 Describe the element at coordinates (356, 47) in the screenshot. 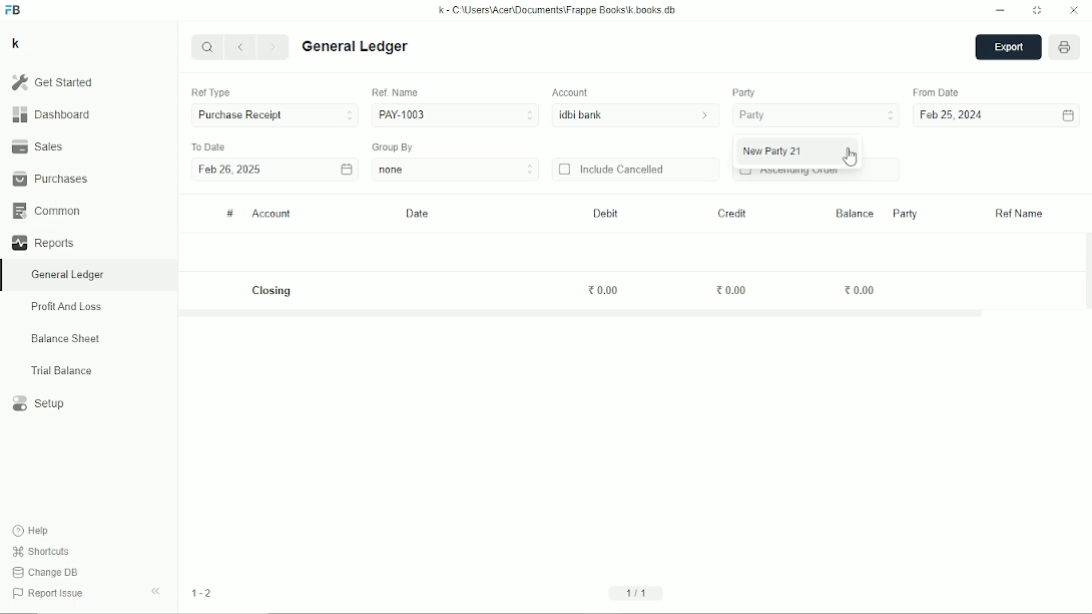

I see `General ledger` at that location.